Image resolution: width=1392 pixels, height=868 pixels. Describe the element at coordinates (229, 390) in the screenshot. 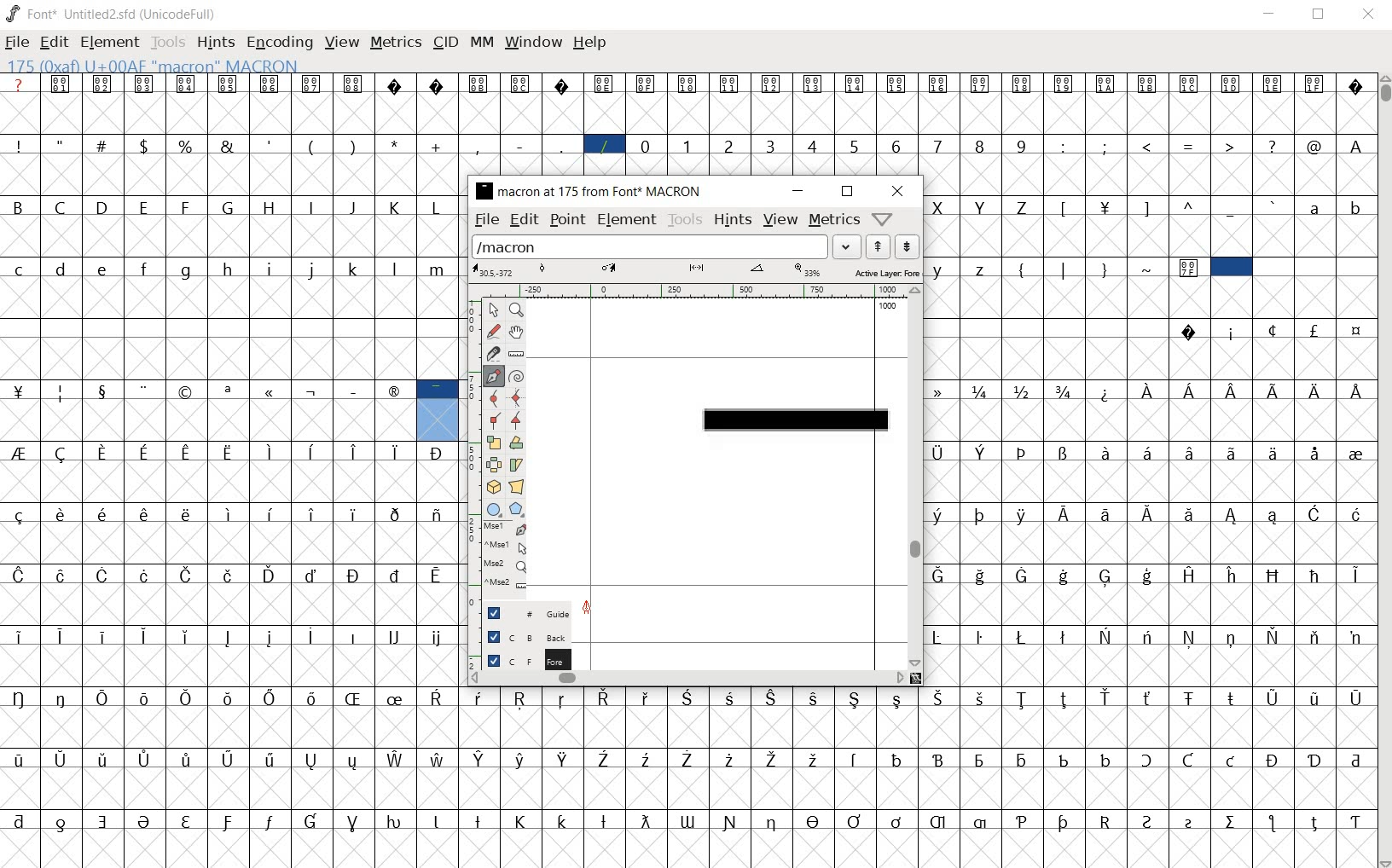

I see `Symbol` at that location.